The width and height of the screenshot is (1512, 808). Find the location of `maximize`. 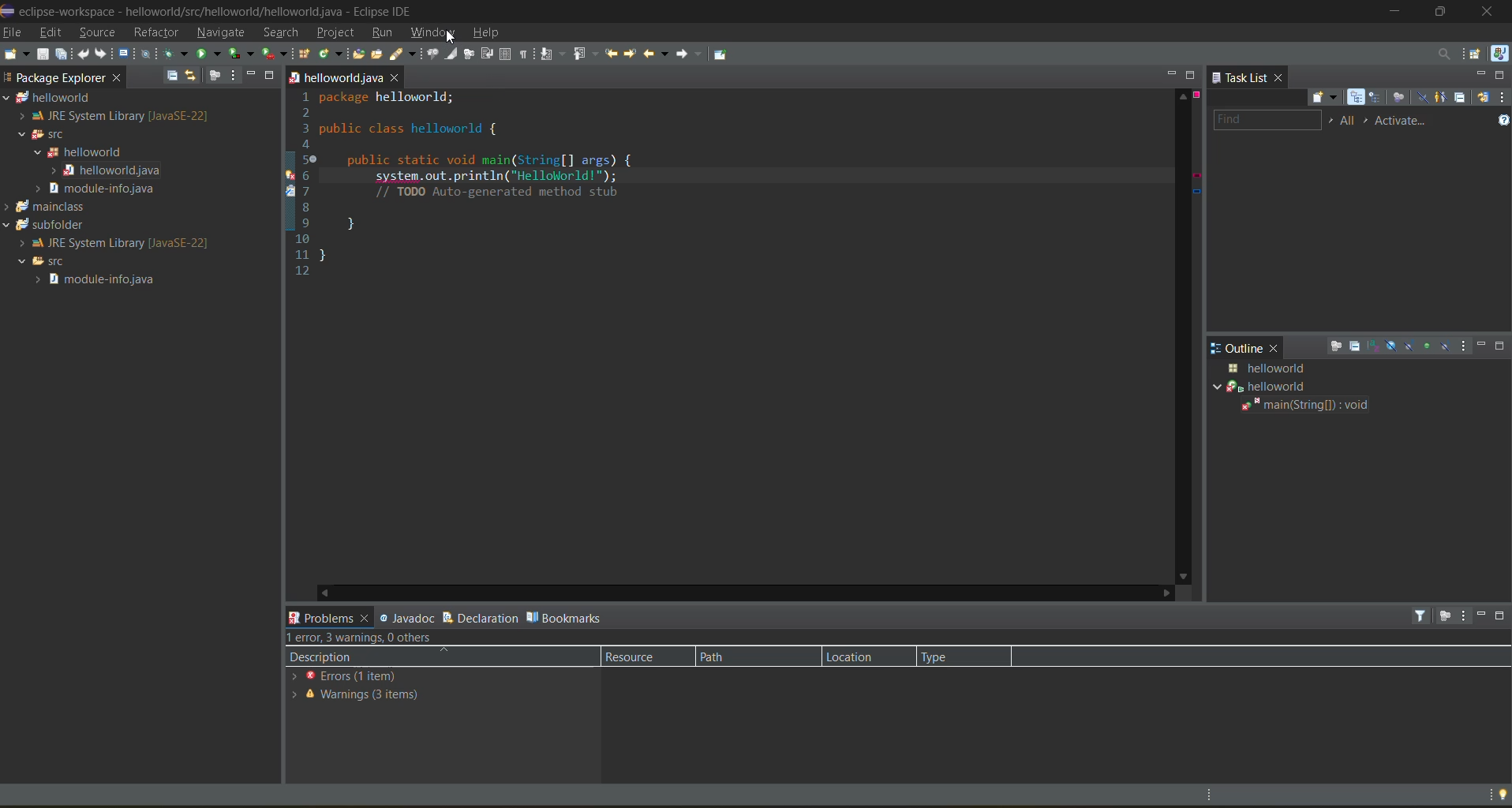

maximize is located at coordinates (1502, 616).